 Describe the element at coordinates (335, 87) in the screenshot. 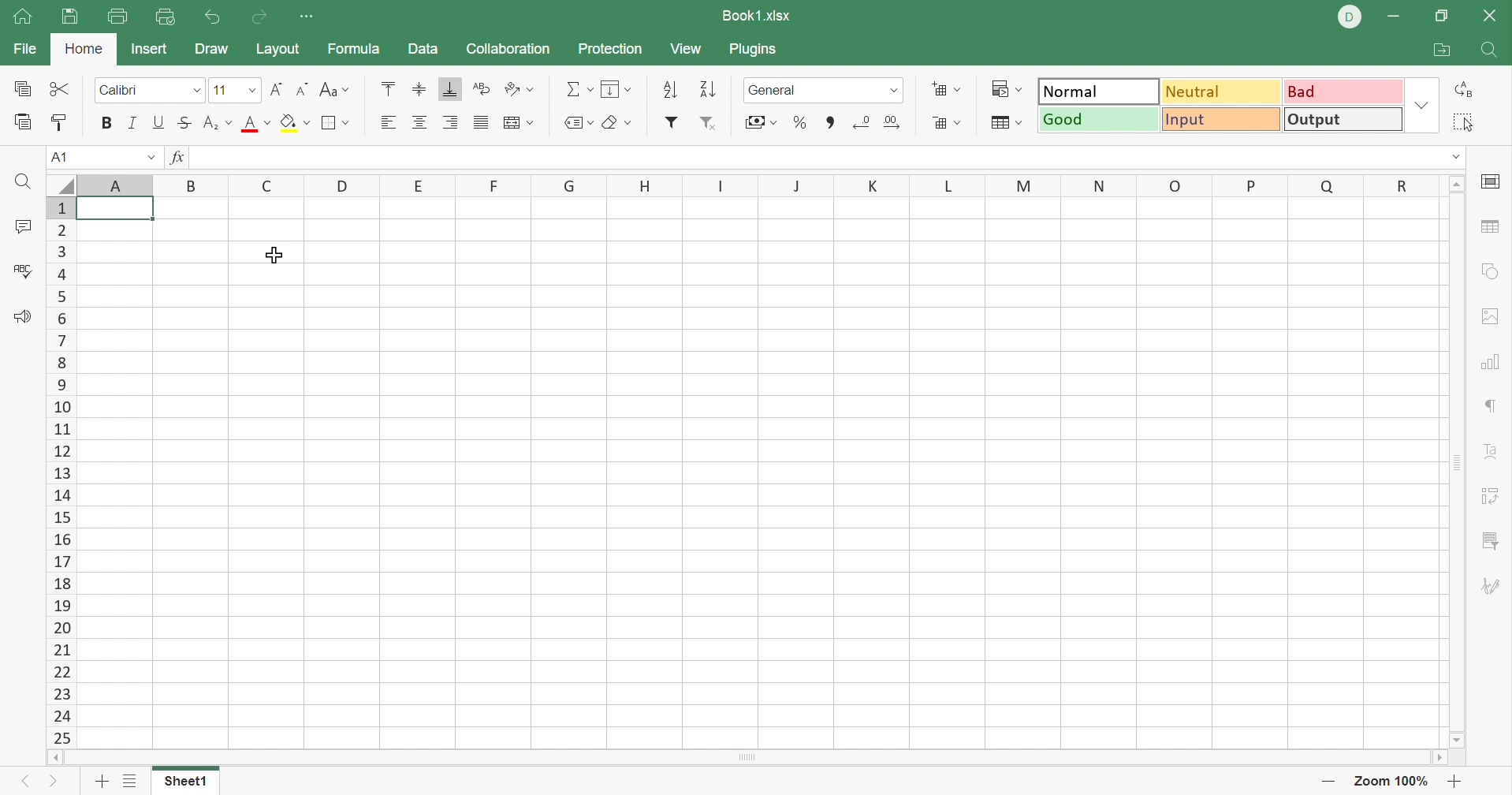

I see `Change case` at that location.